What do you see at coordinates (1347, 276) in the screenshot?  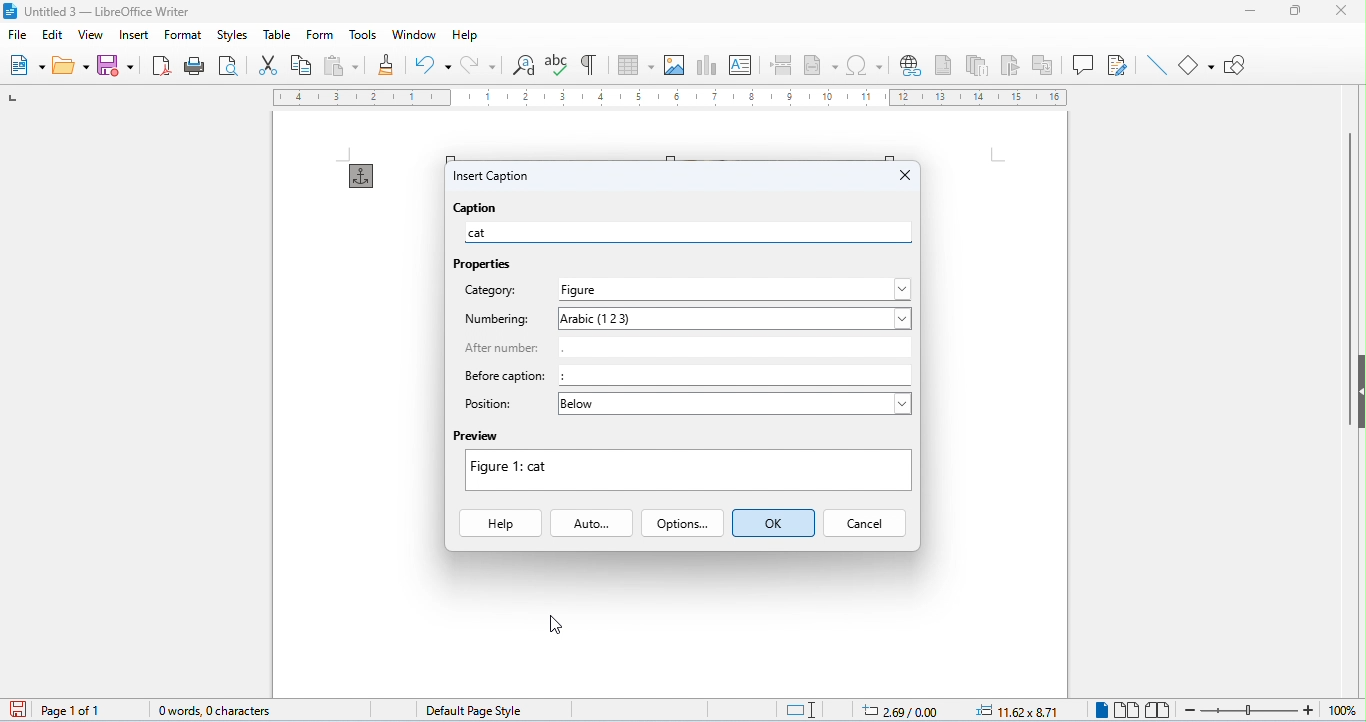 I see `vertical scroll bar` at bounding box center [1347, 276].